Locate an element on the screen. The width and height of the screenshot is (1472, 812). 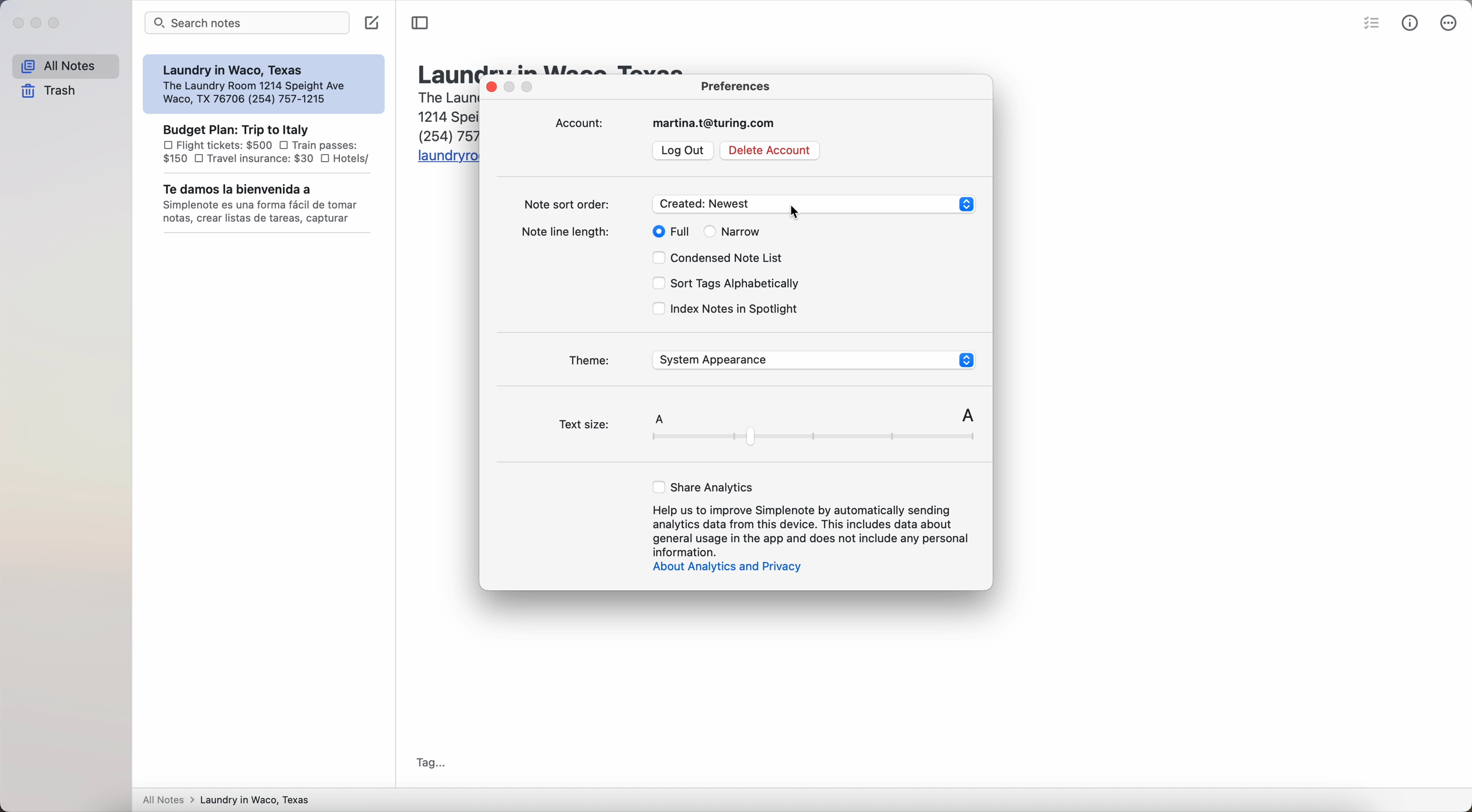
All notes is located at coordinates (65, 67).